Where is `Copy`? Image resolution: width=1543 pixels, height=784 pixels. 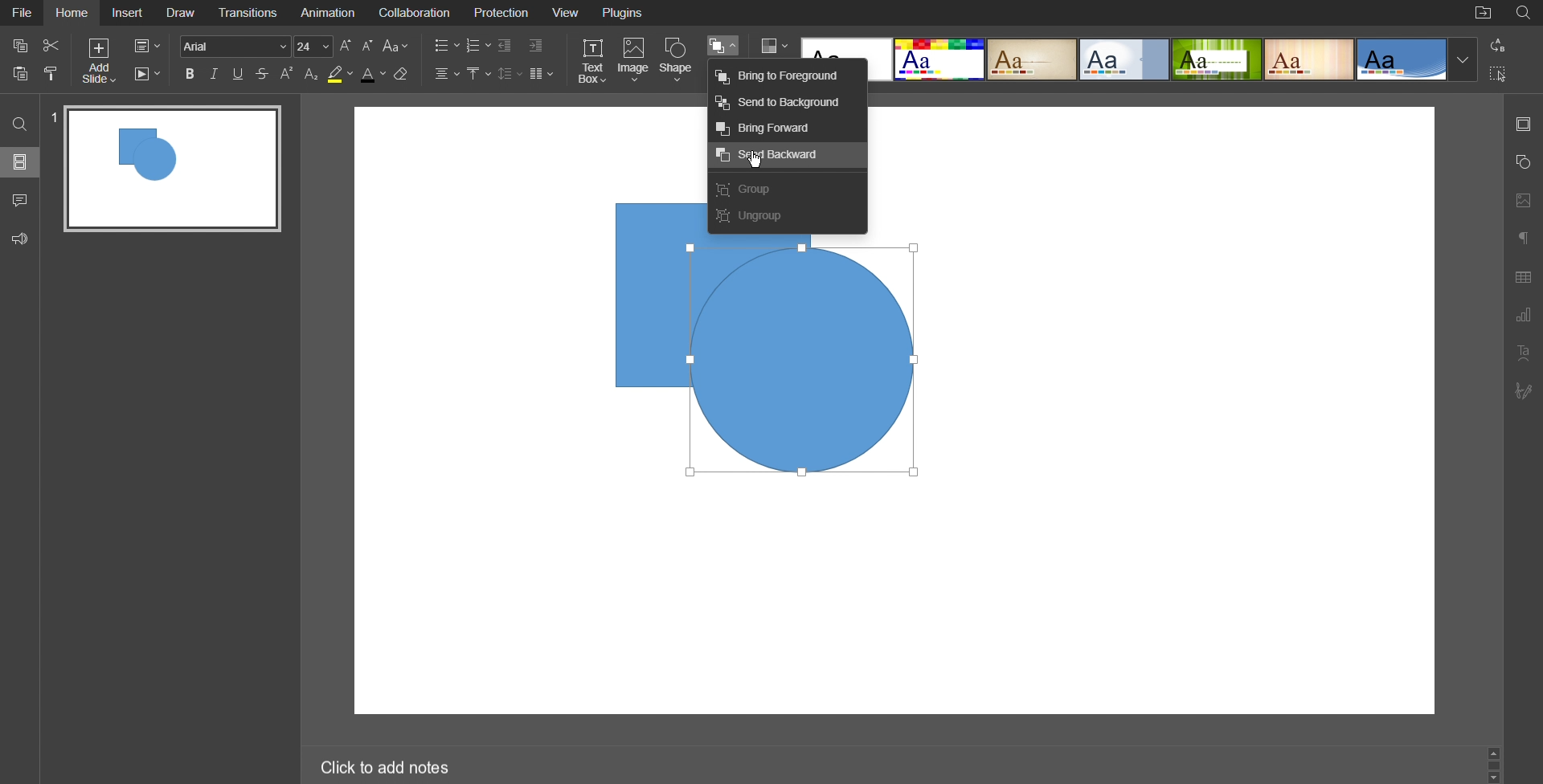
Copy is located at coordinates (18, 47).